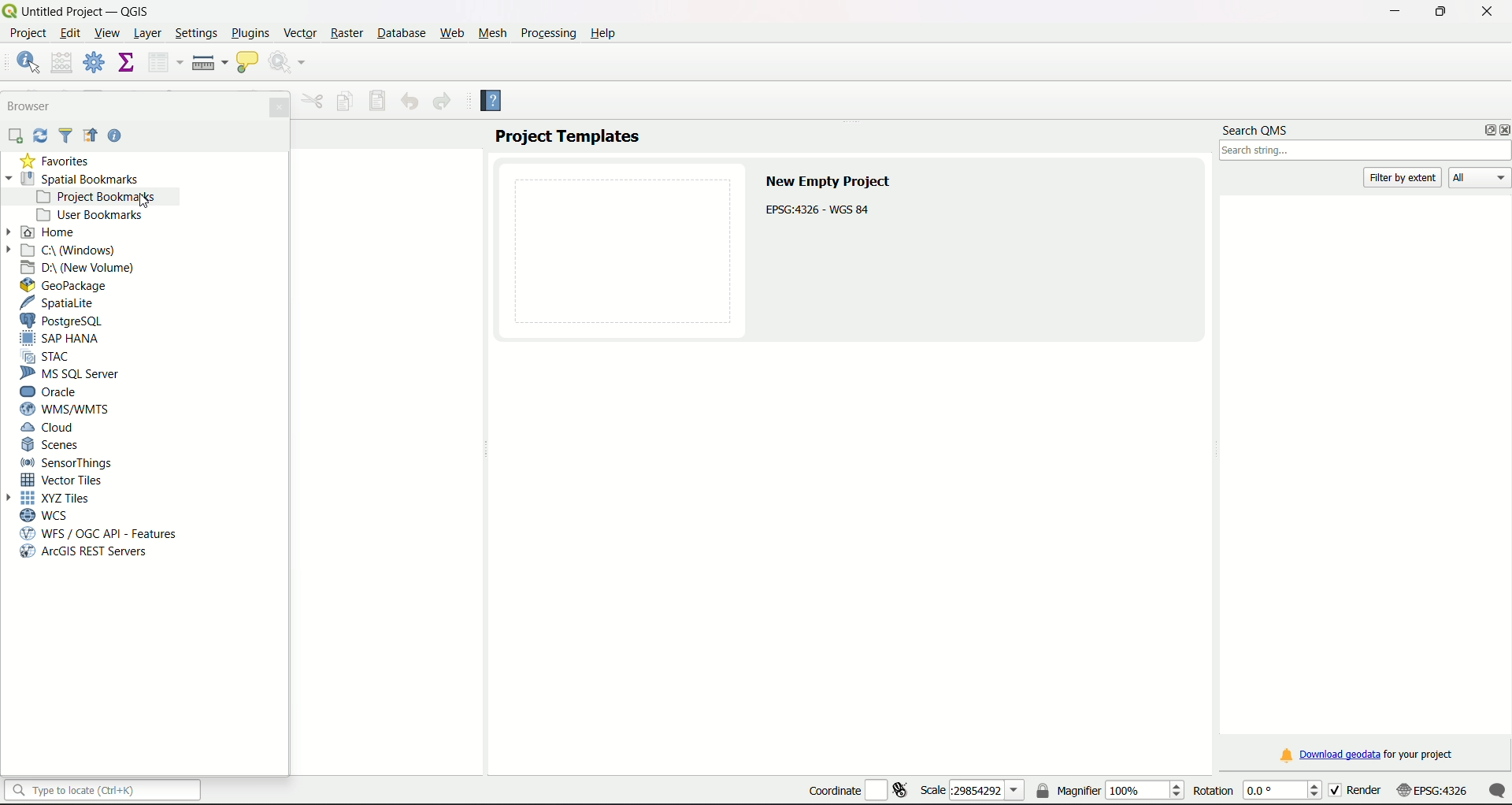 This screenshot has width=1512, height=805. I want to click on Save features, so click(379, 101).